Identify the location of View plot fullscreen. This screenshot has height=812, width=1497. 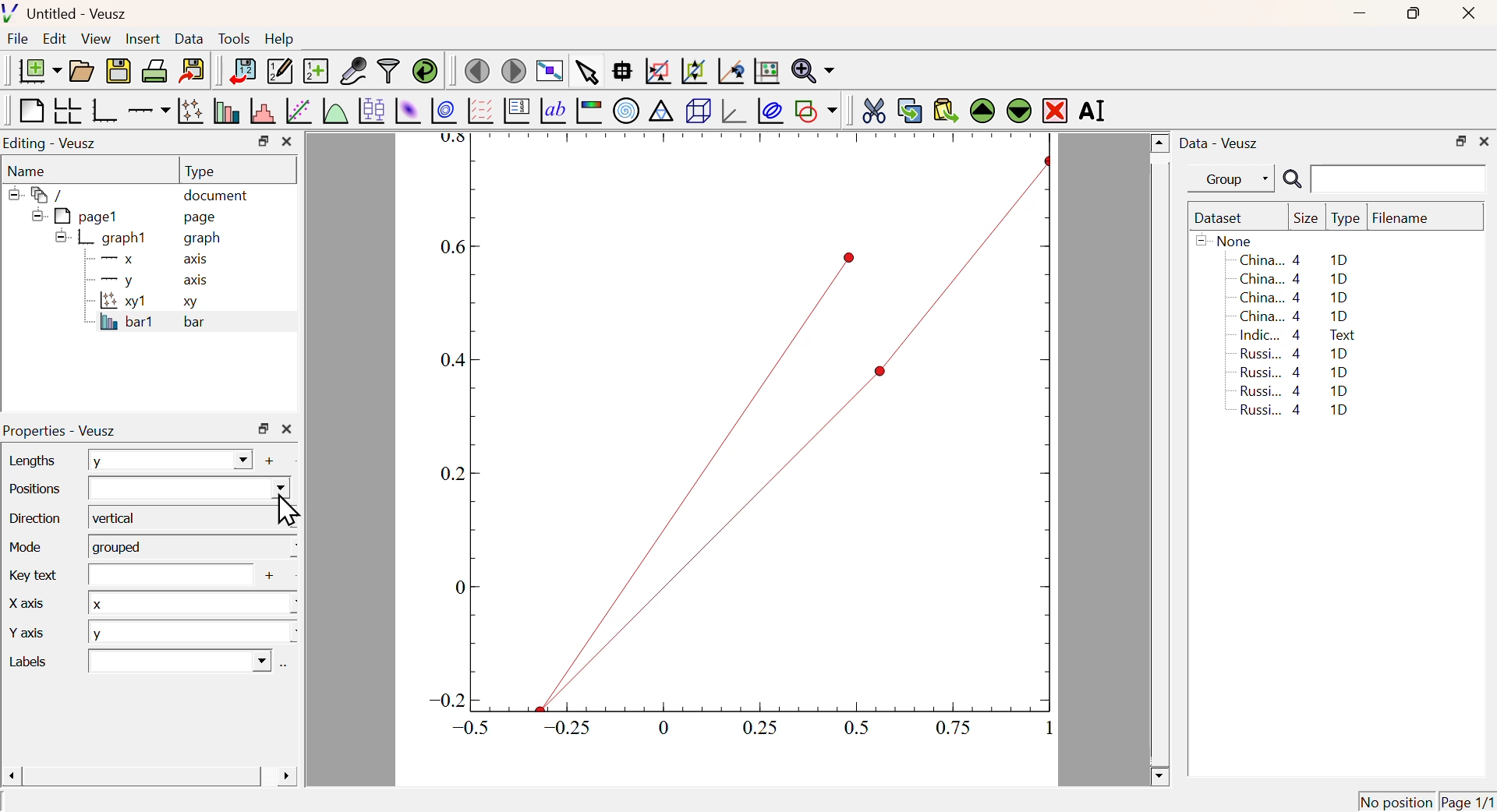
(547, 72).